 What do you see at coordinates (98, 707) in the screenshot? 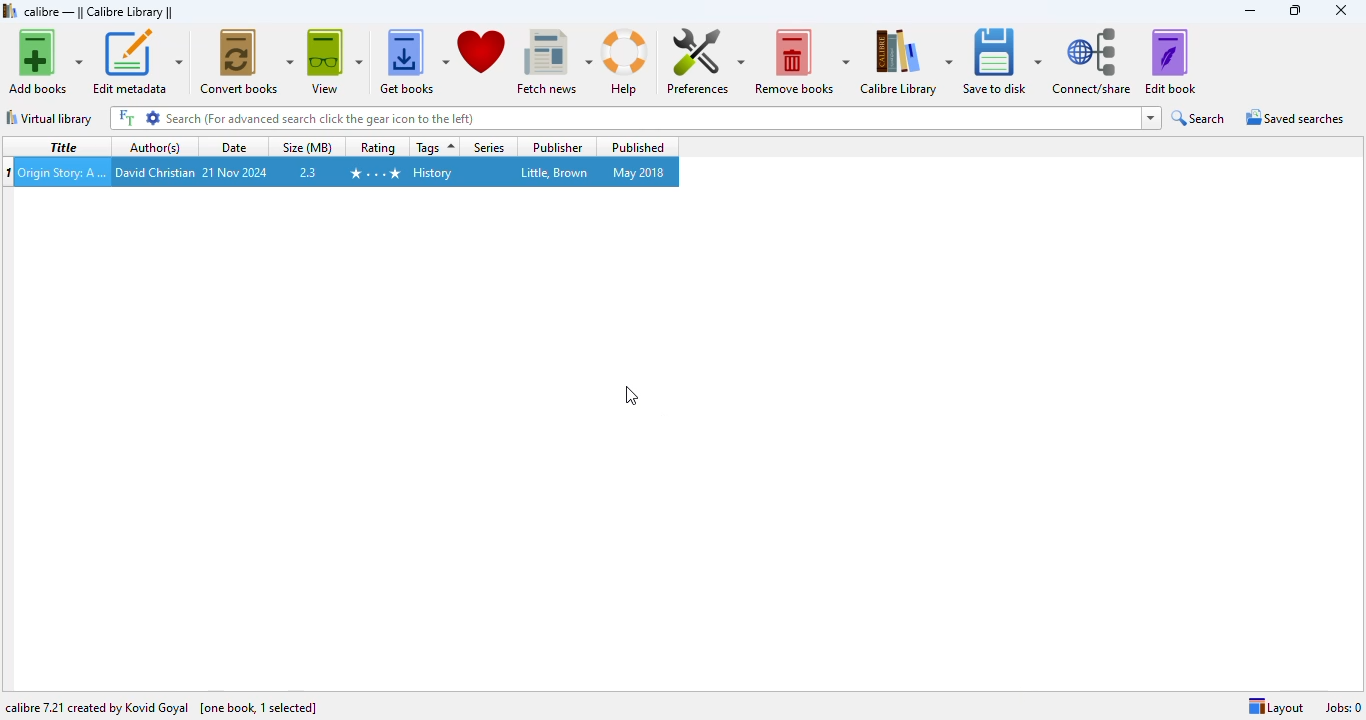
I see `calibre 7.21 created by Kovid Goyal` at bounding box center [98, 707].